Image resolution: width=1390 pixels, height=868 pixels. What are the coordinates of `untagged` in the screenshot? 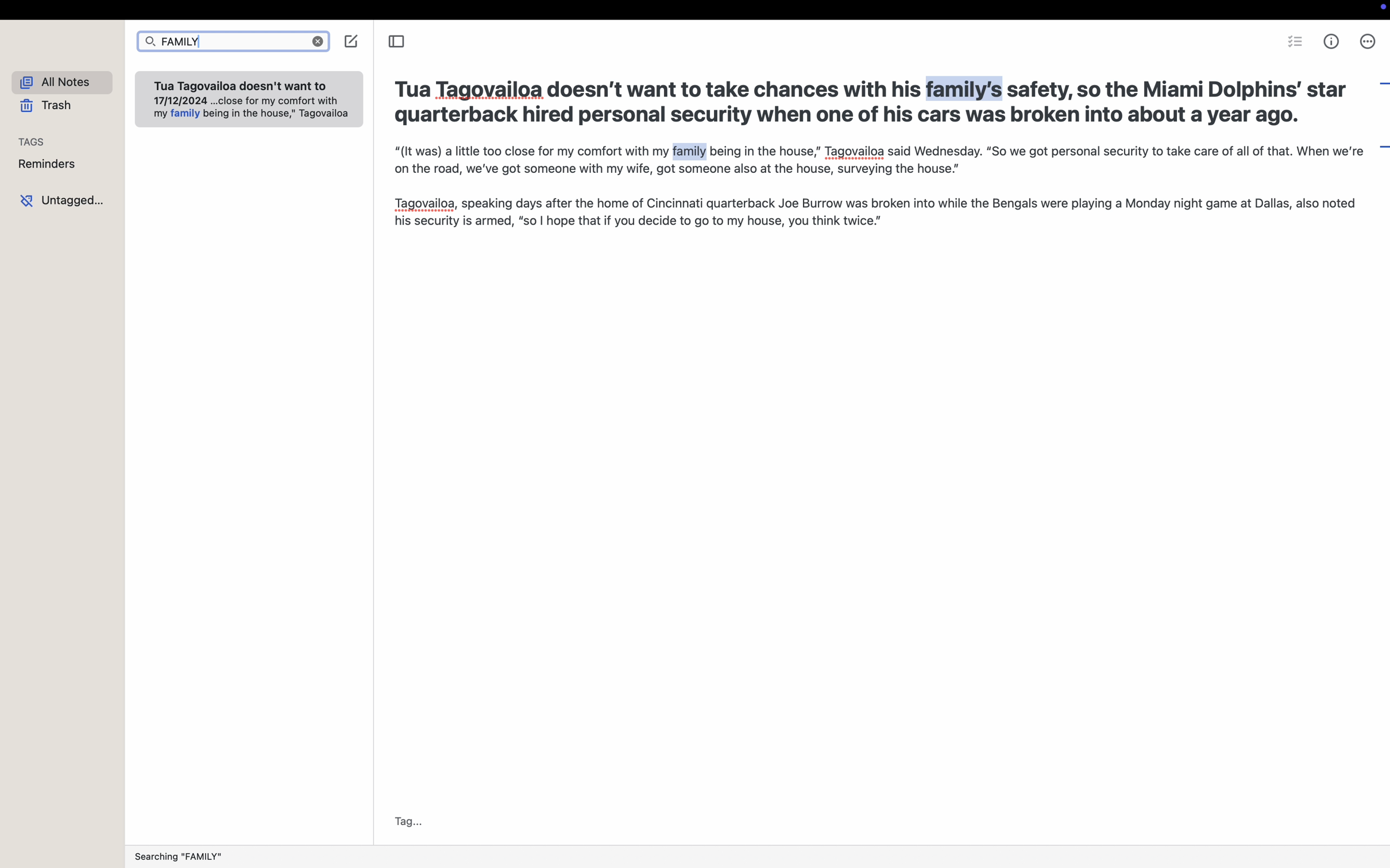 It's located at (61, 198).